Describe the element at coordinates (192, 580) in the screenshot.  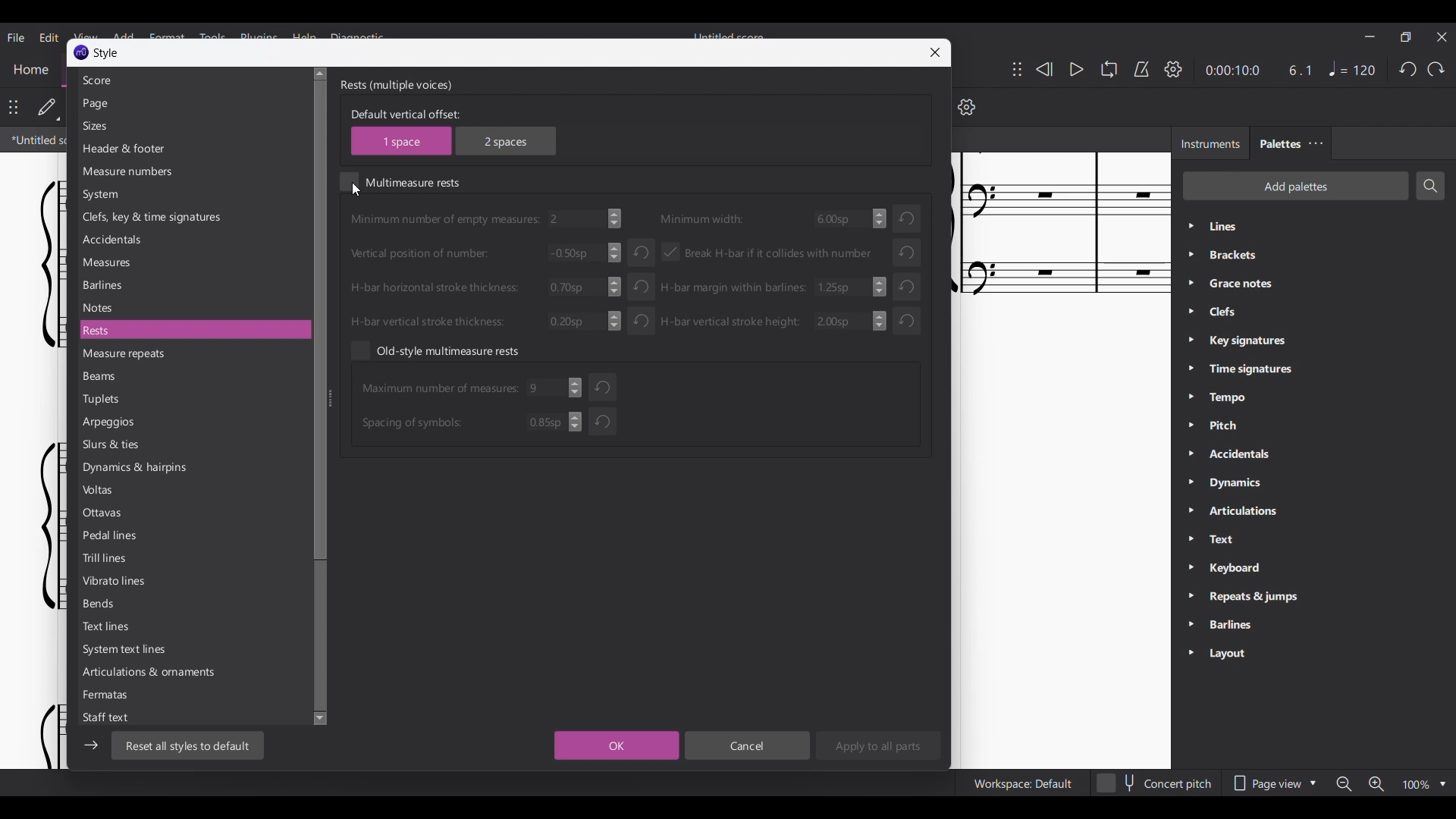
I see `Vibrato lines` at that location.